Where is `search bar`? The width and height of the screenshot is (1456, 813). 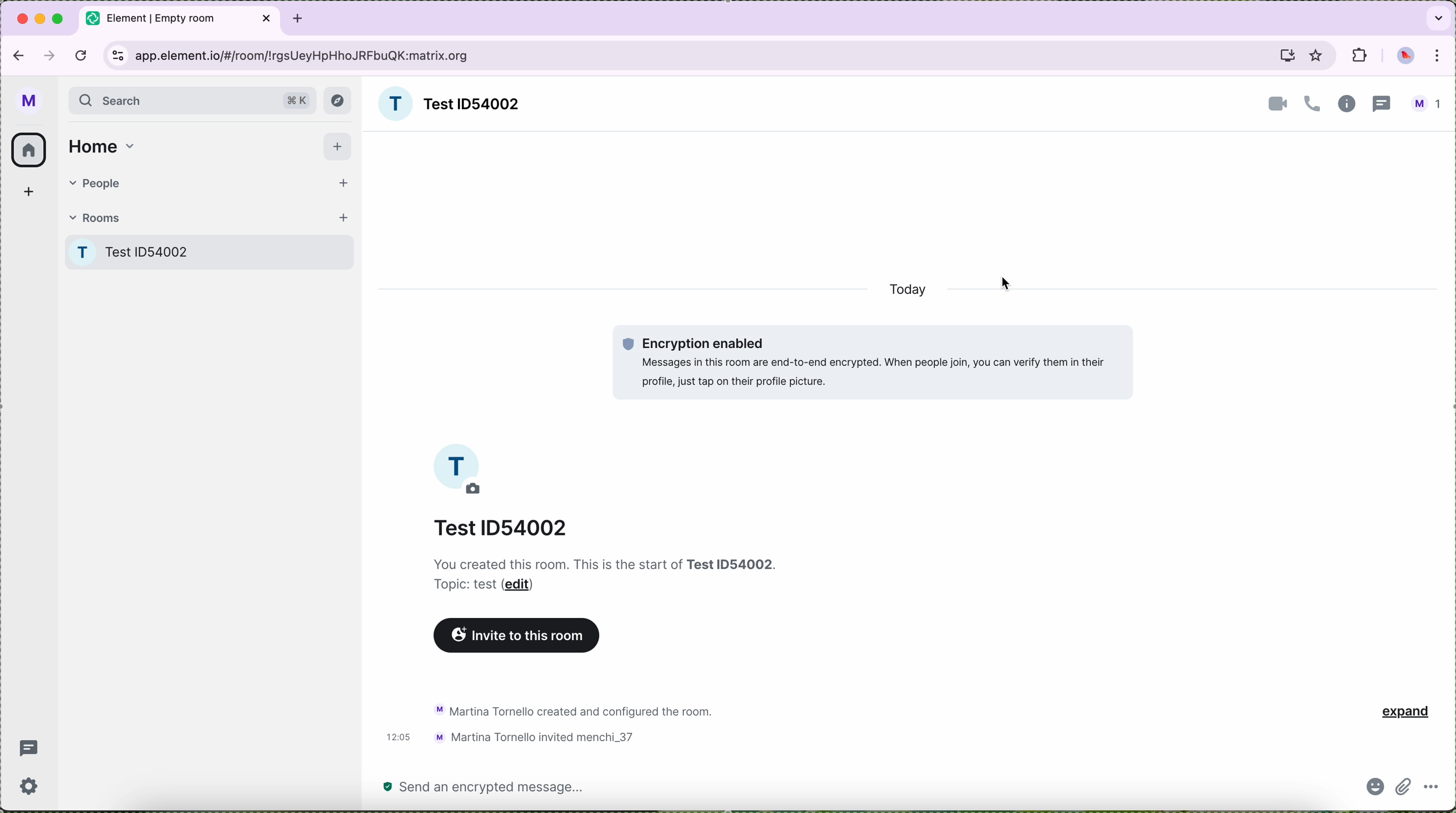
search bar is located at coordinates (192, 102).